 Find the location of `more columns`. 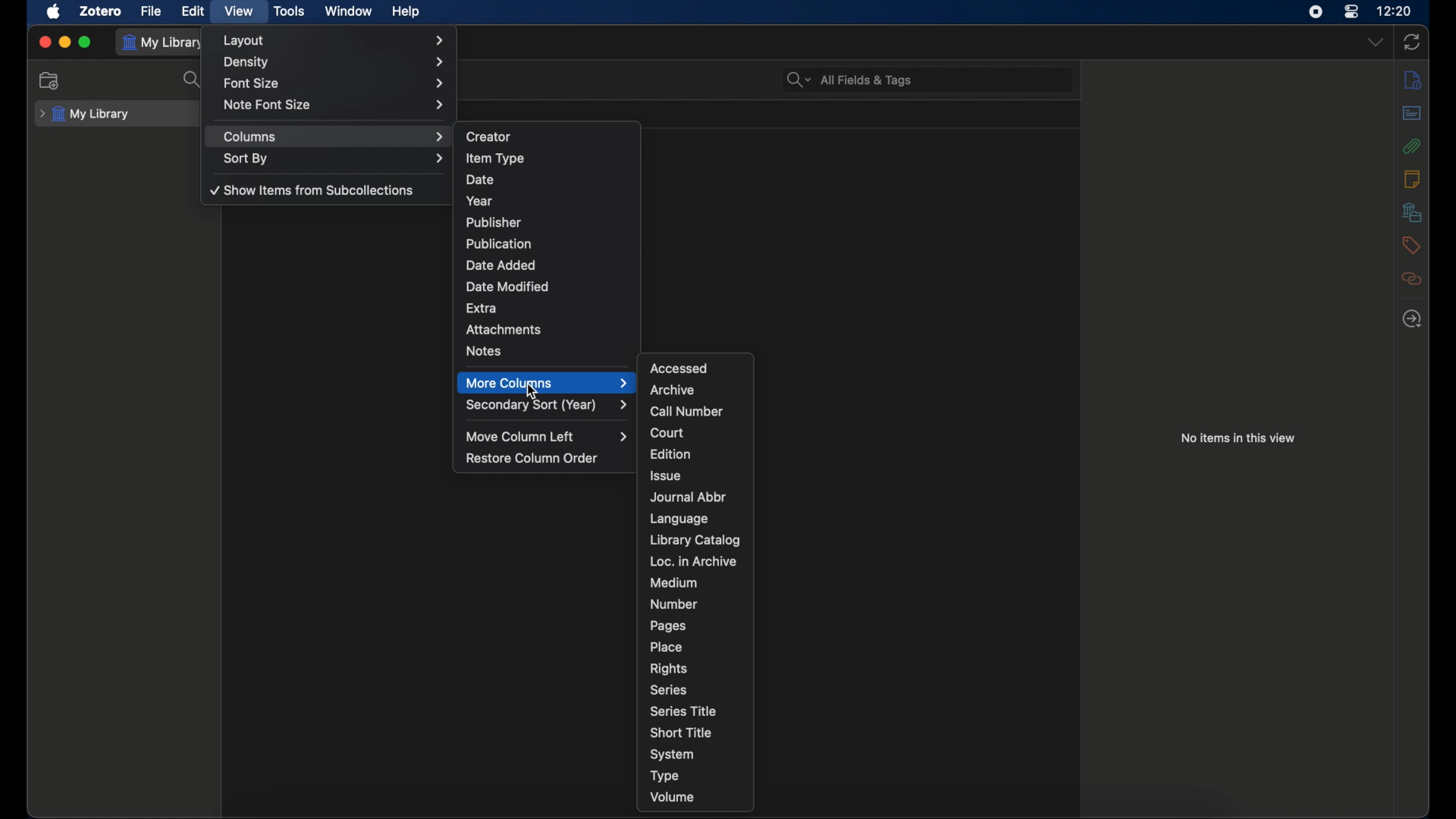

more columns is located at coordinates (547, 382).